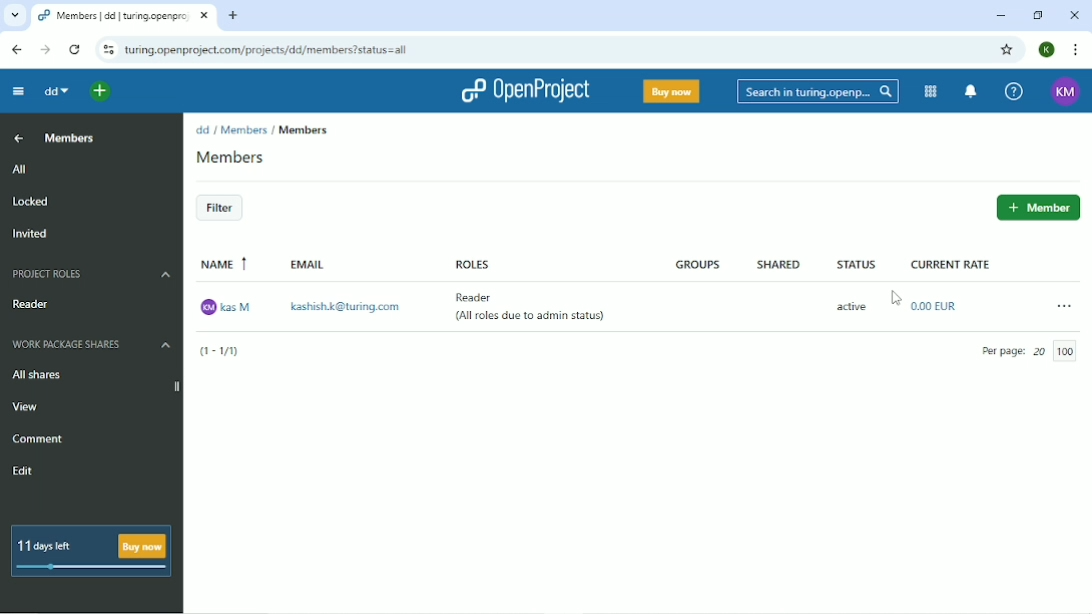 The width and height of the screenshot is (1092, 614). Describe the element at coordinates (344, 304) in the screenshot. I see `kashish.k@turing.com` at that location.